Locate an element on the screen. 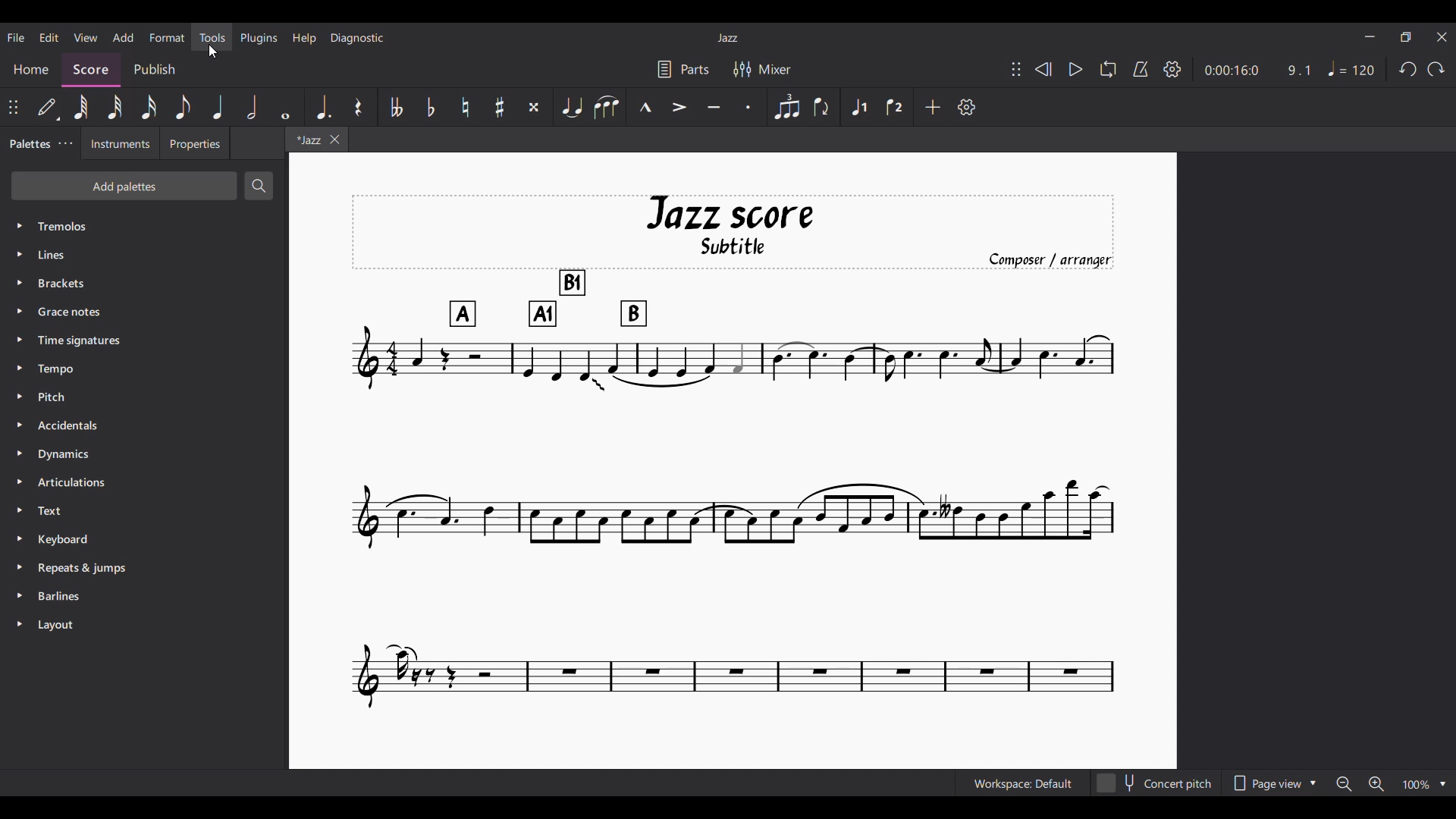  Cursor is located at coordinates (212, 52).